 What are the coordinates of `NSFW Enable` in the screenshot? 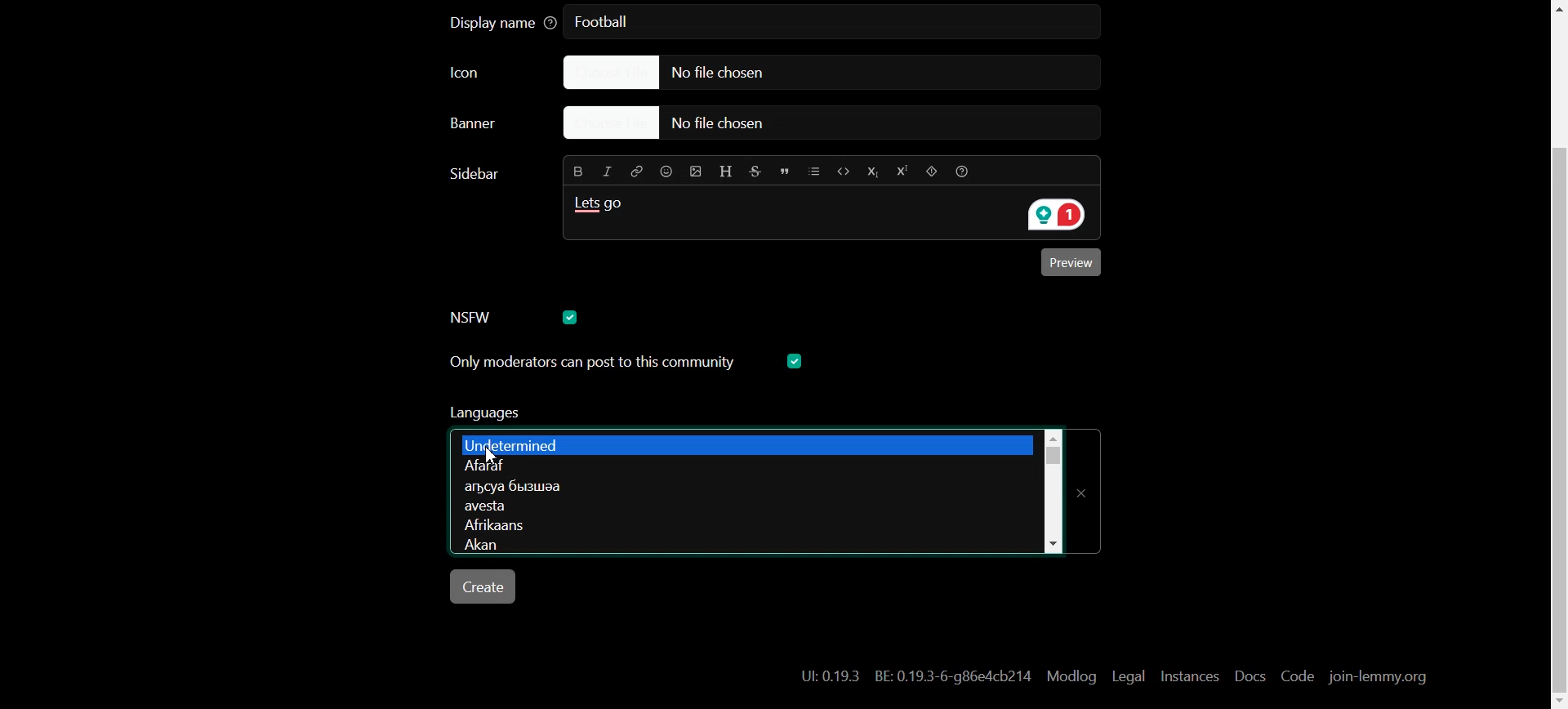 It's located at (475, 317).